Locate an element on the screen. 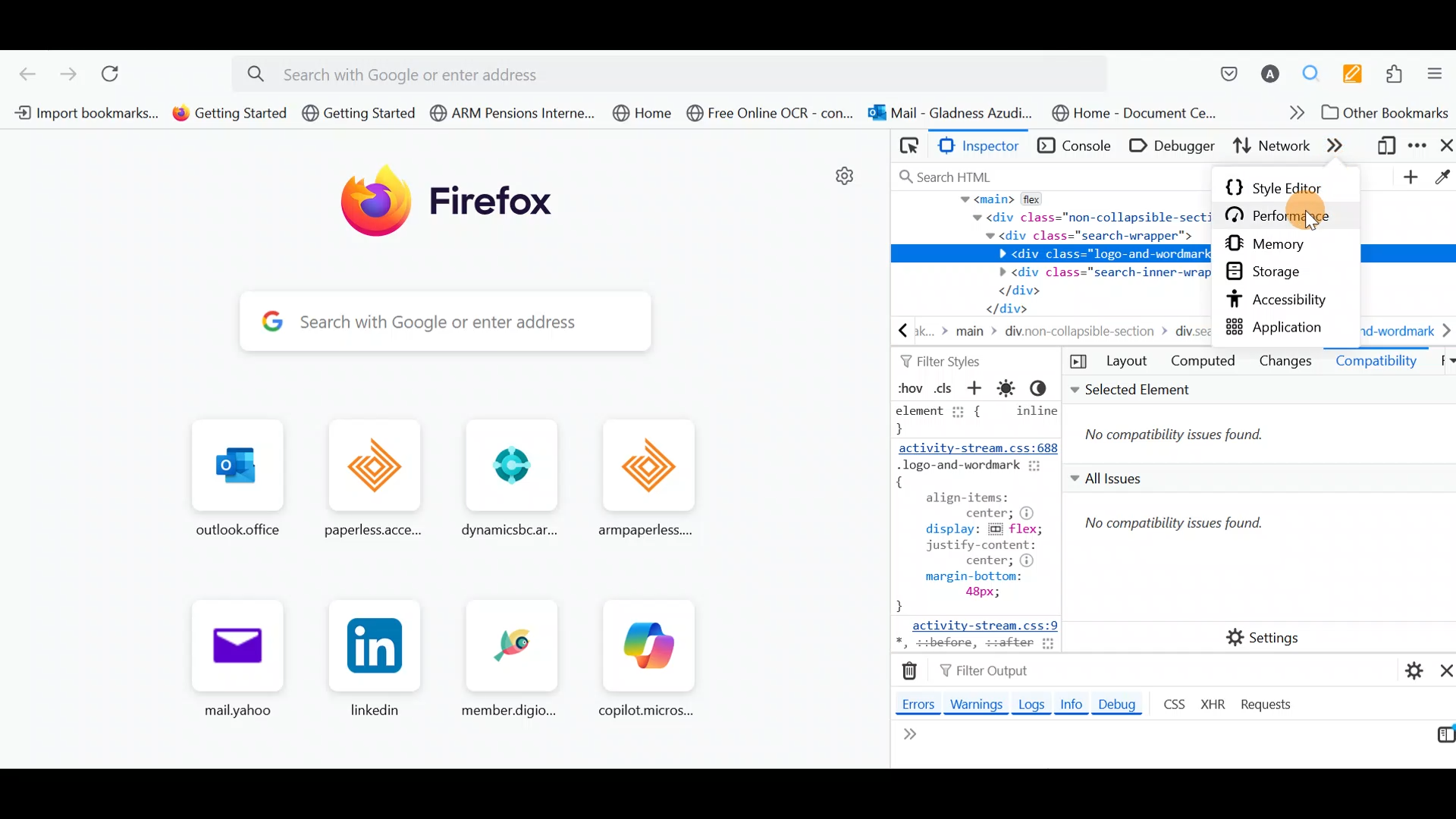 This screenshot has height=819, width=1456. Application is located at coordinates (1284, 325).